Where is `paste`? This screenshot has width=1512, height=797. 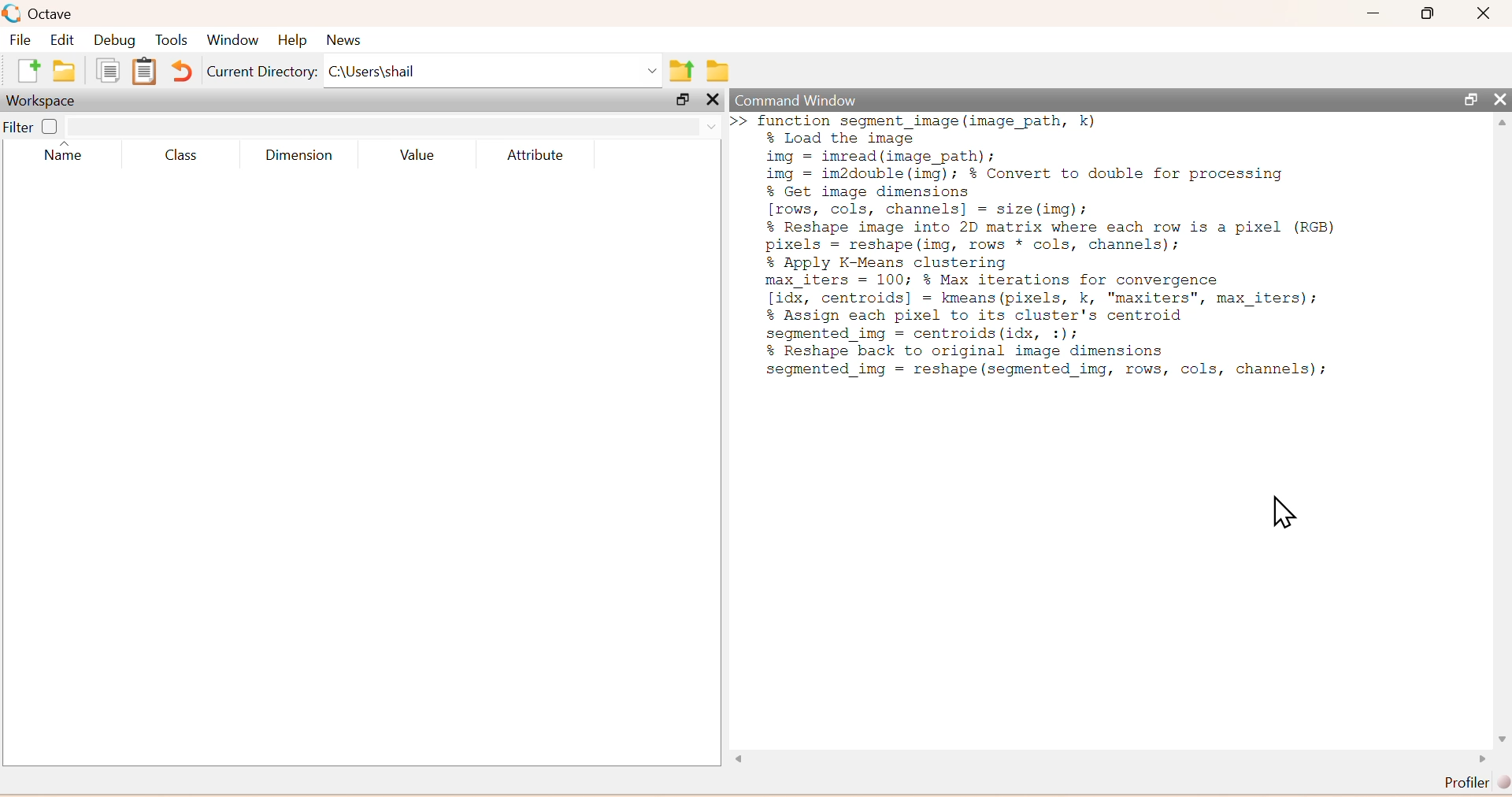 paste is located at coordinates (144, 71).